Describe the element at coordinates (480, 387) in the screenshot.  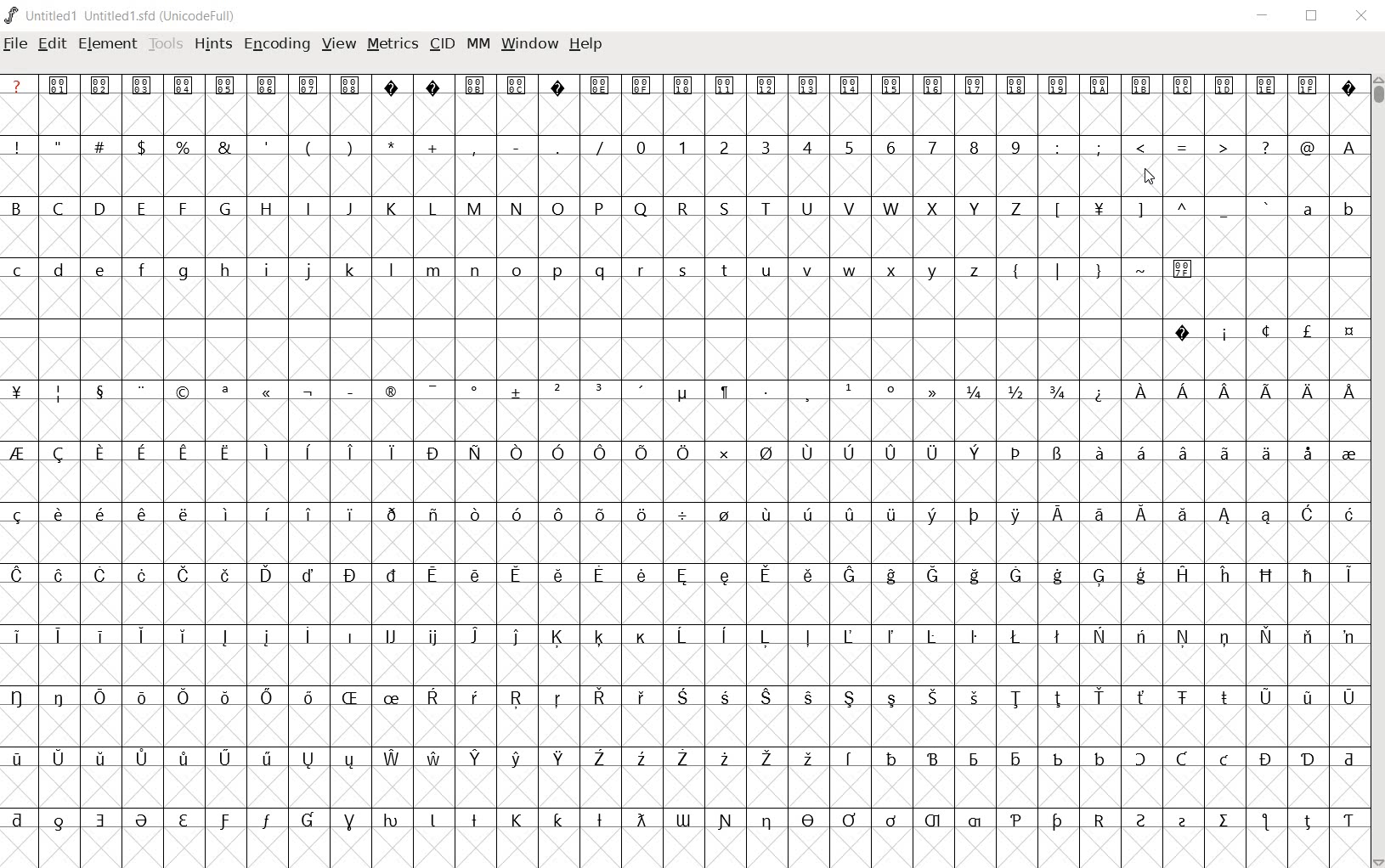
I see `symbols` at that location.